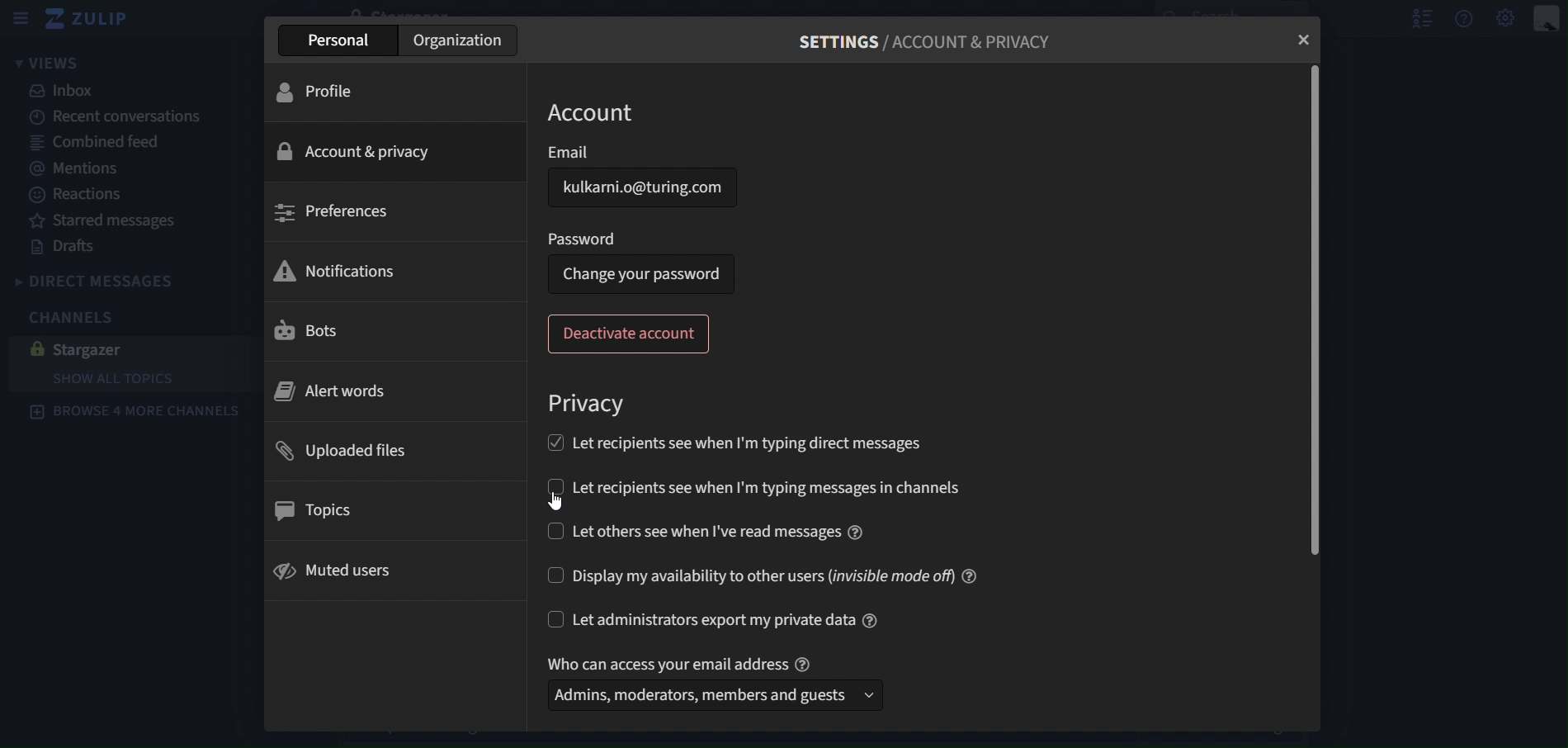 This screenshot has width=1568, height=748. Describe the element at coordinates (718, 694) in the screenshot. I see `admins, moderators, members and guests` at that location.